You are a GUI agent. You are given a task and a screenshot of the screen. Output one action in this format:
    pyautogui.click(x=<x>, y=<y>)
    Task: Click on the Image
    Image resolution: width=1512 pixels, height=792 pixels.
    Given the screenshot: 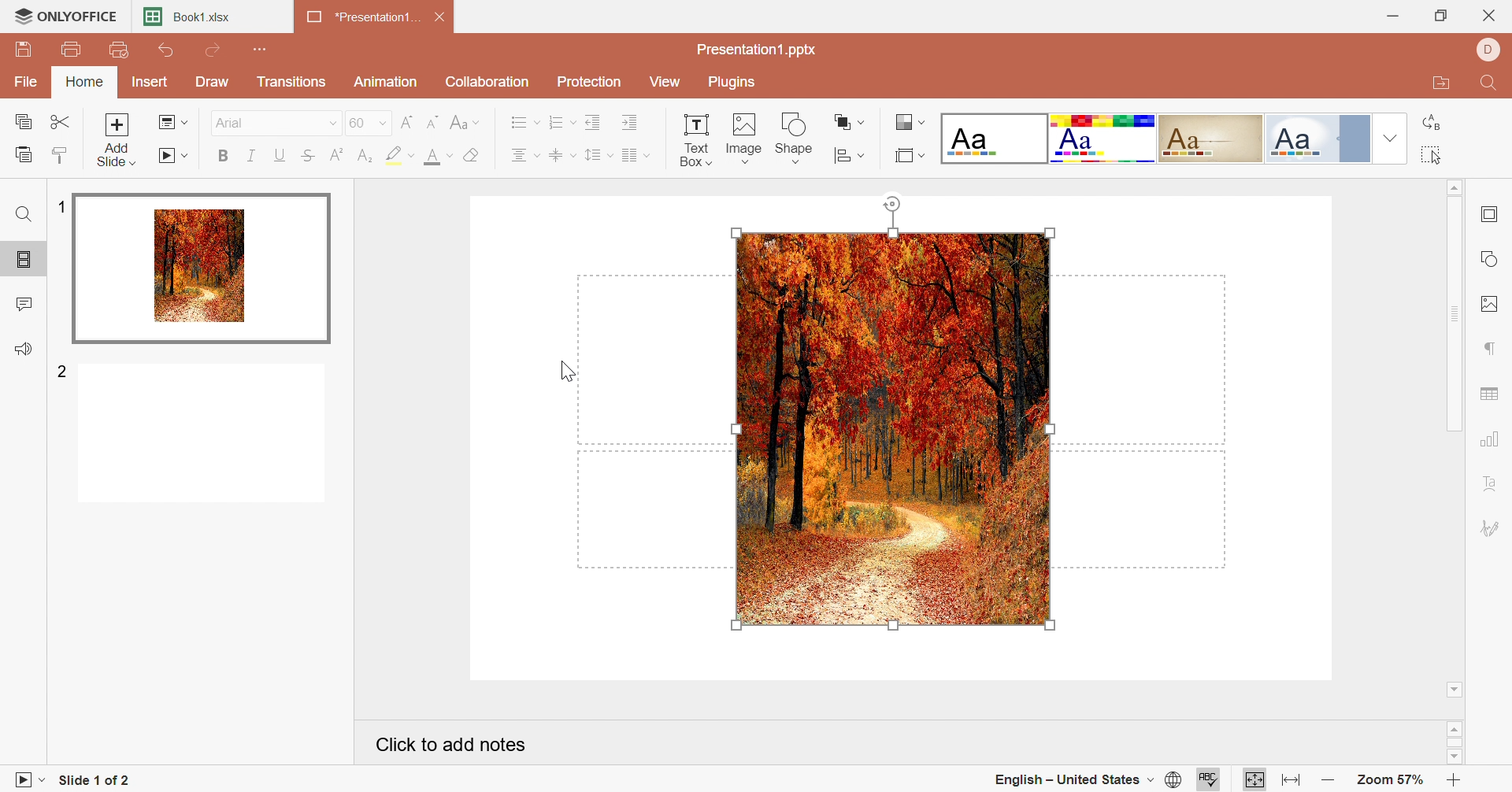 What is the action you would take?
    pyautogui.click(x=892, y=428)
    